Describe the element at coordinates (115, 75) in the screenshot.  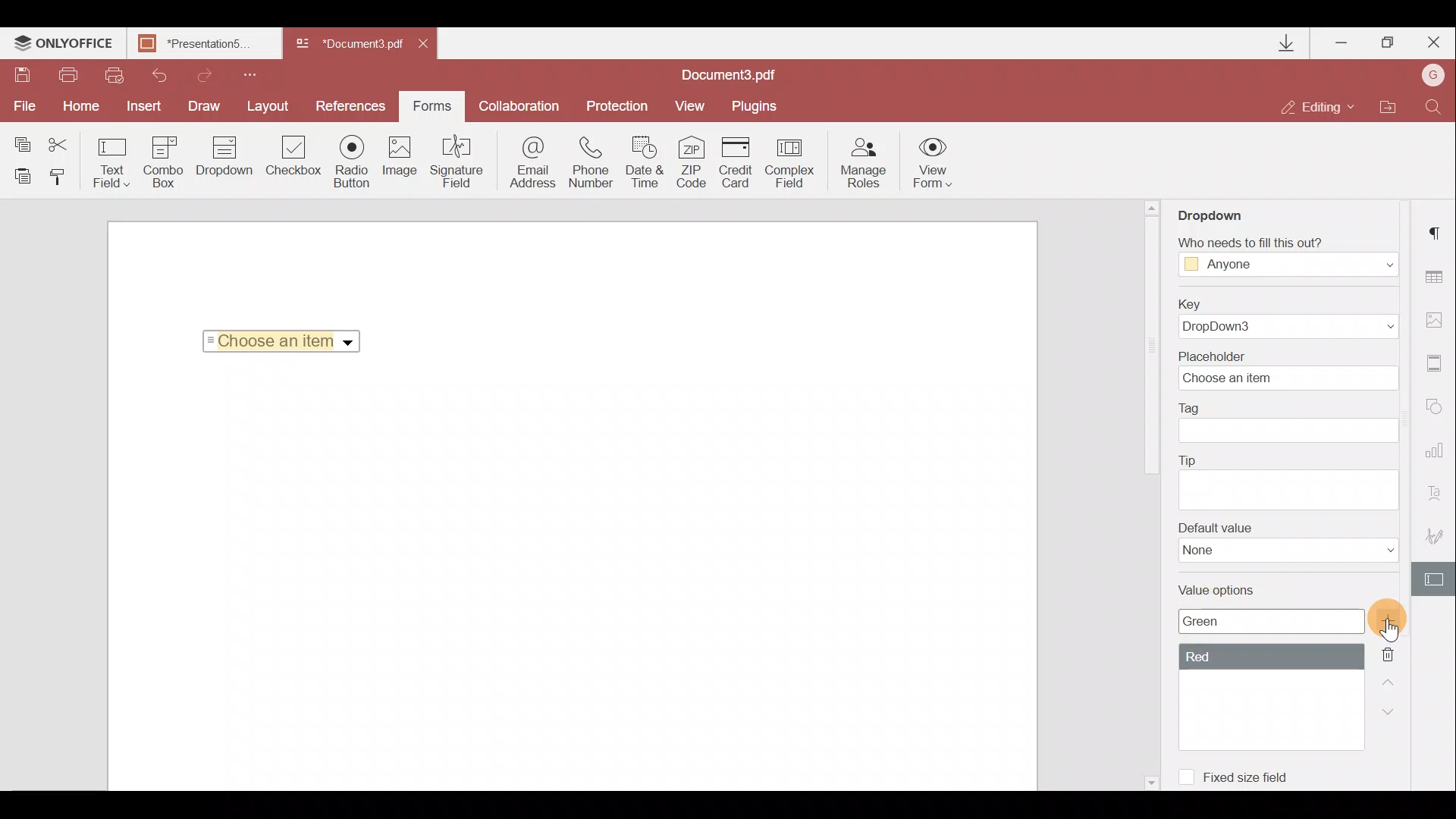
I see `Quick print` at that location.